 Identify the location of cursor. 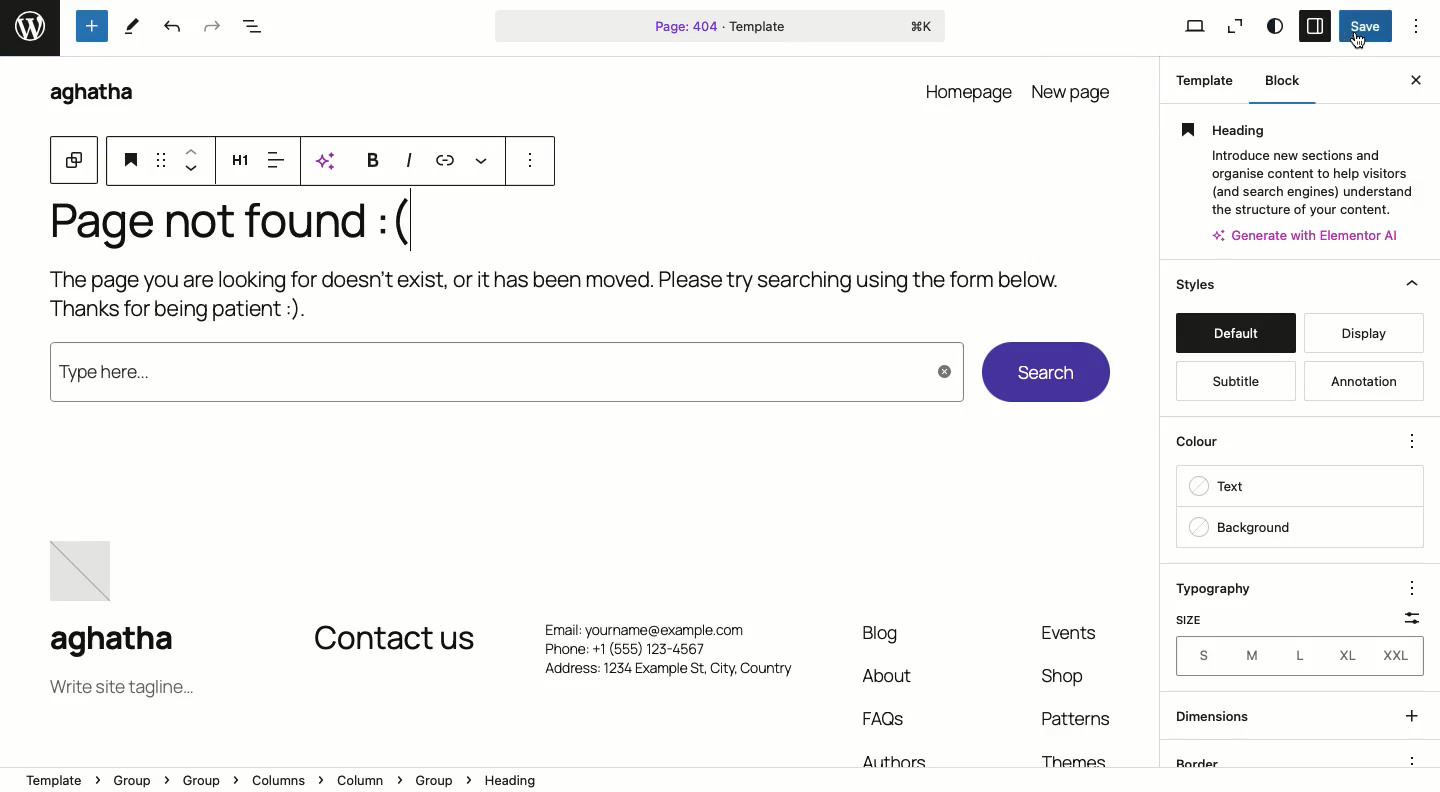
(1359, 41).